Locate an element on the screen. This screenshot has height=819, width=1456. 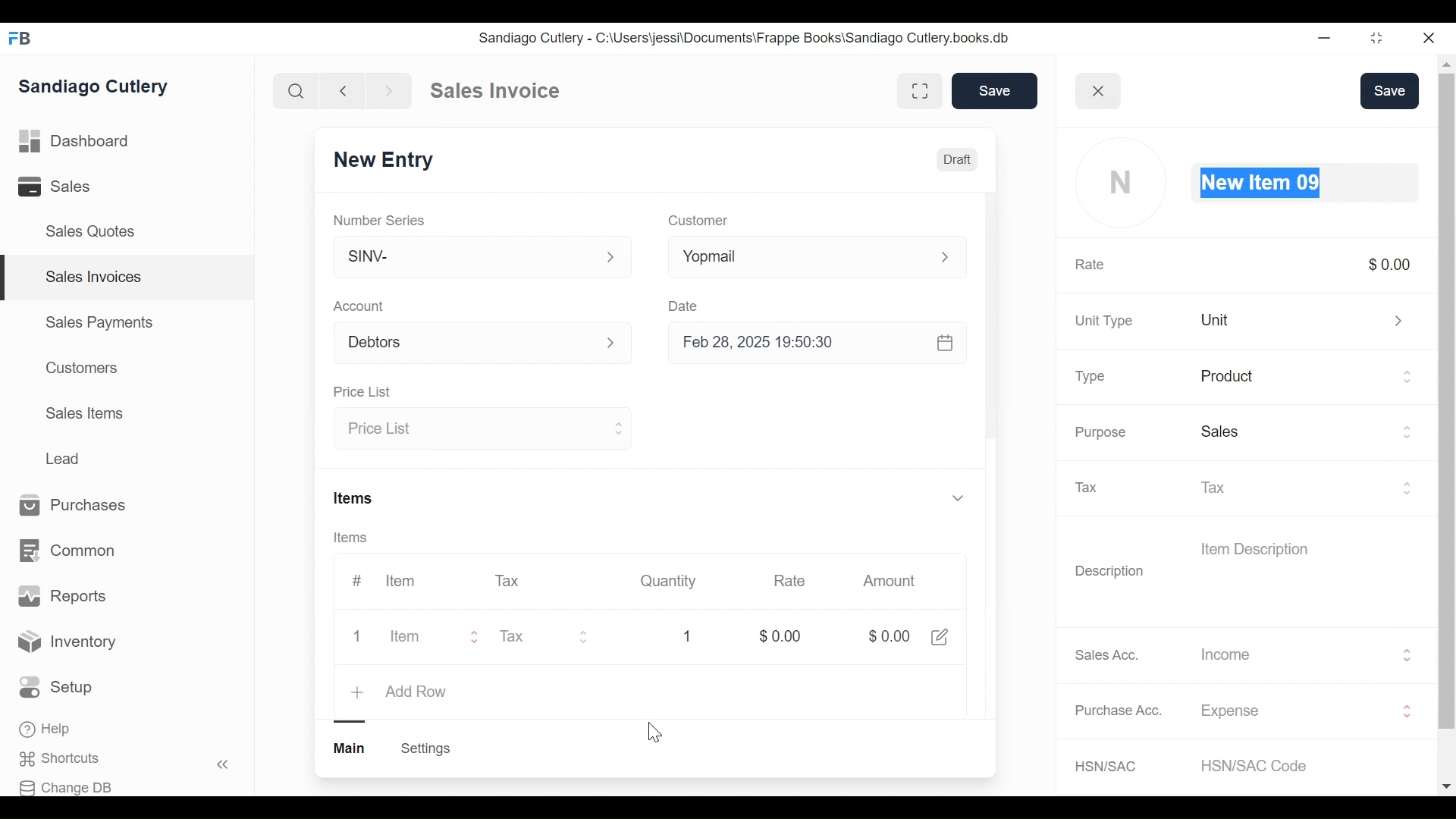
Expense is located at coordinates (1307, 711).